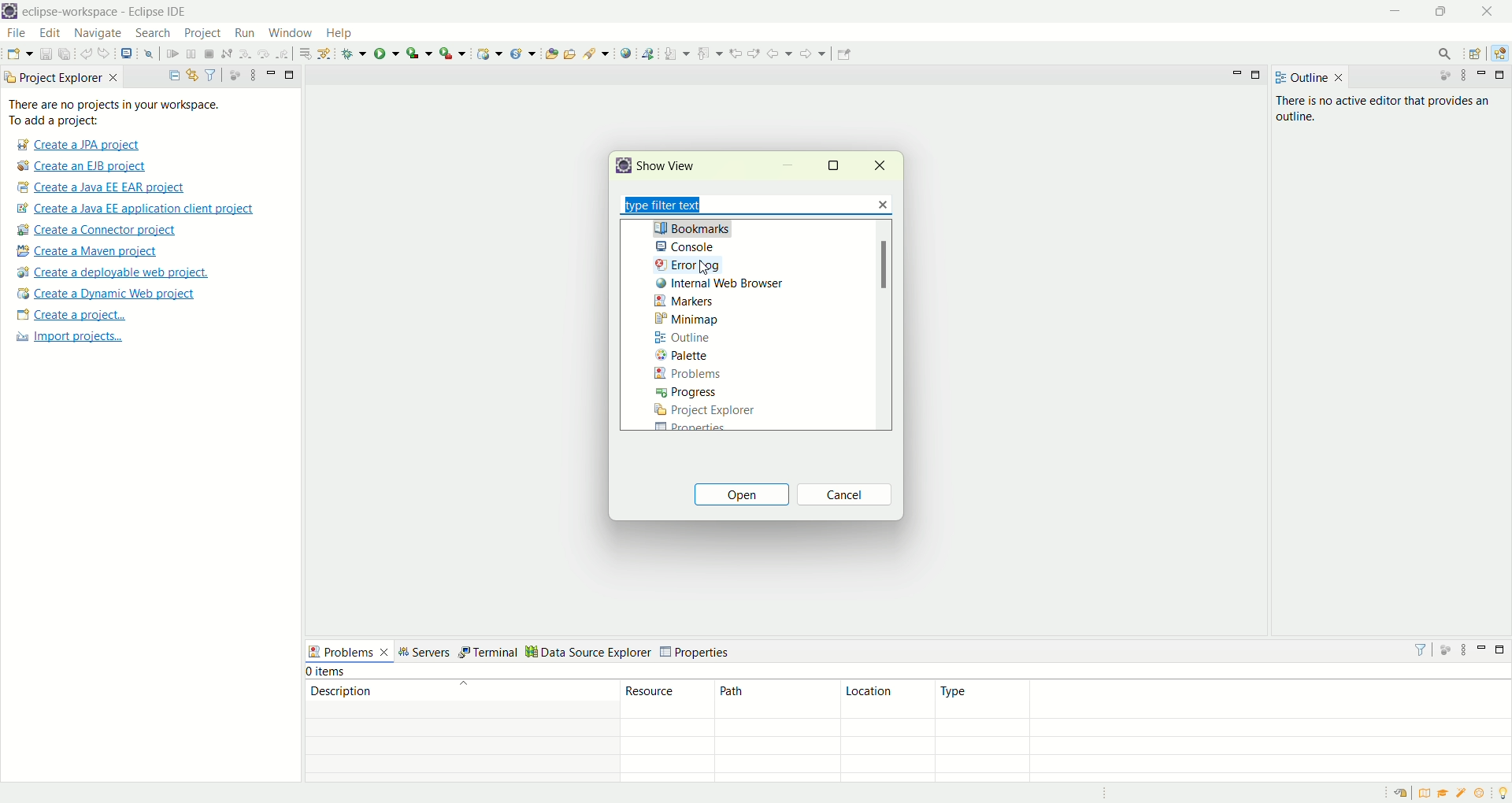 This screenshot has width=1512, height=803. What do you see at coordinates (835, 165) in the screenshot?
I see `maximize` at bounding box center [835, 165].